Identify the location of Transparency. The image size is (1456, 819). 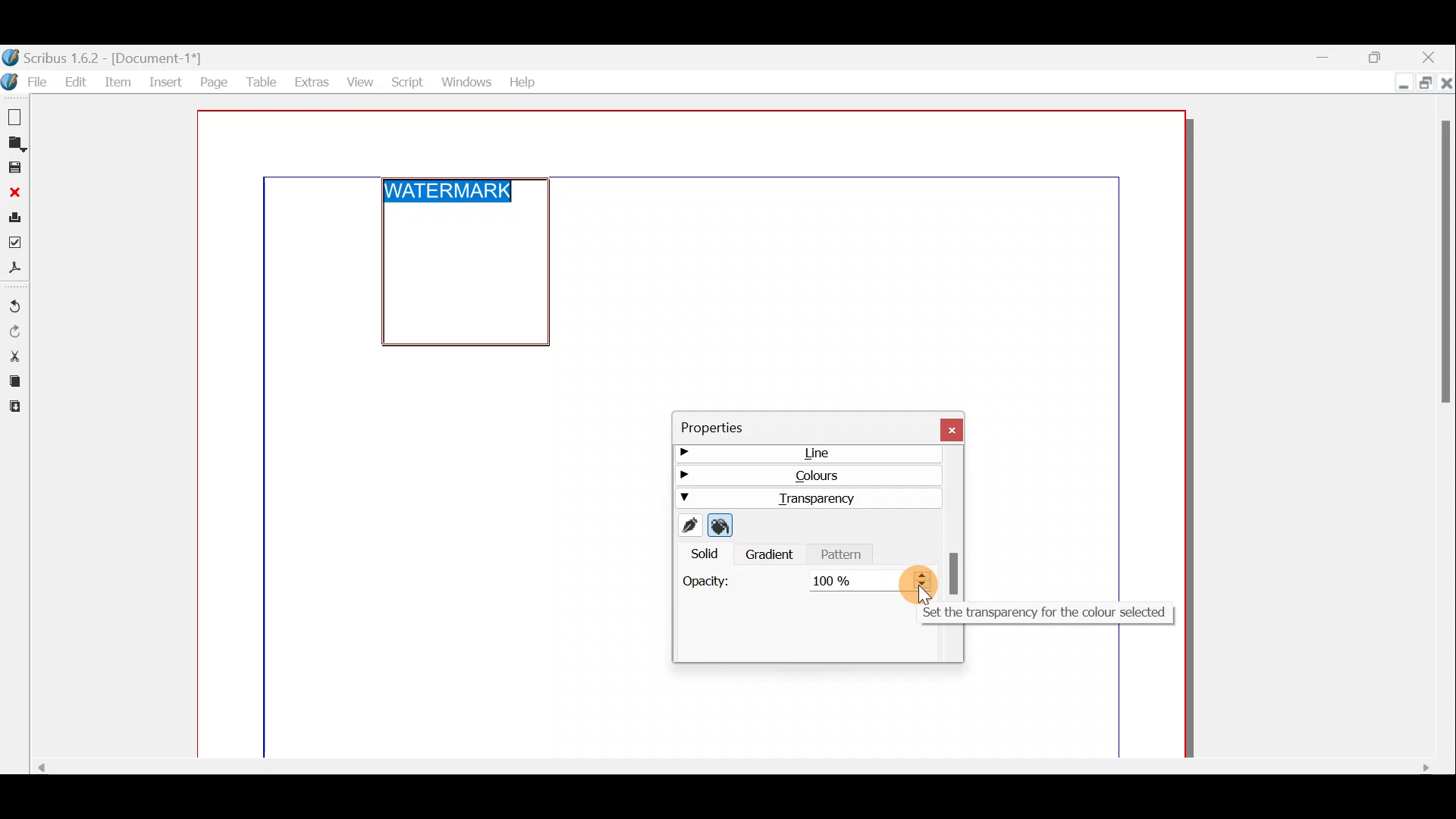
(808, 498).